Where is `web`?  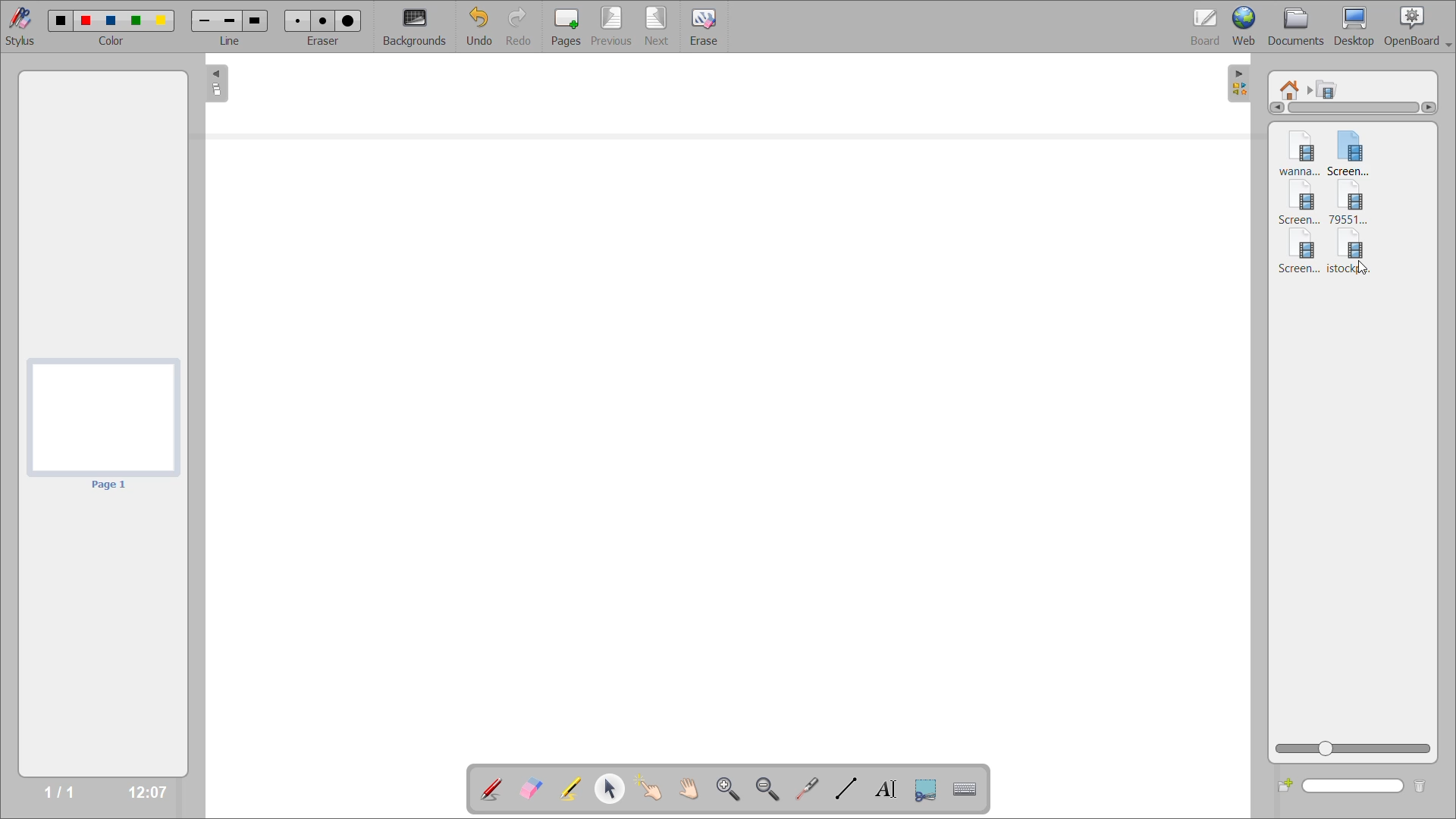
web is located at coordinates (1247, 25).